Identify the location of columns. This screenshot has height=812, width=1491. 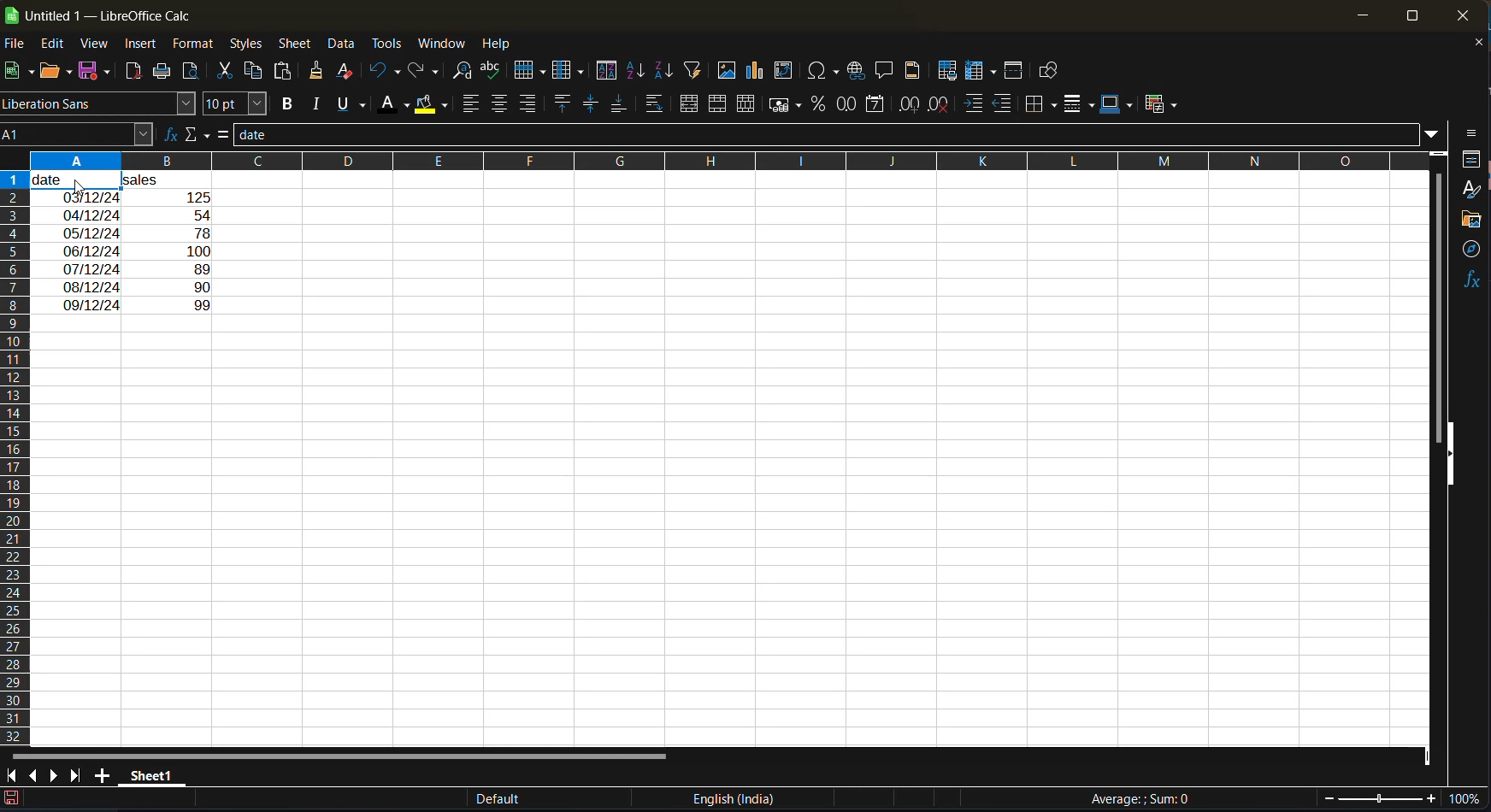
(14, 456).